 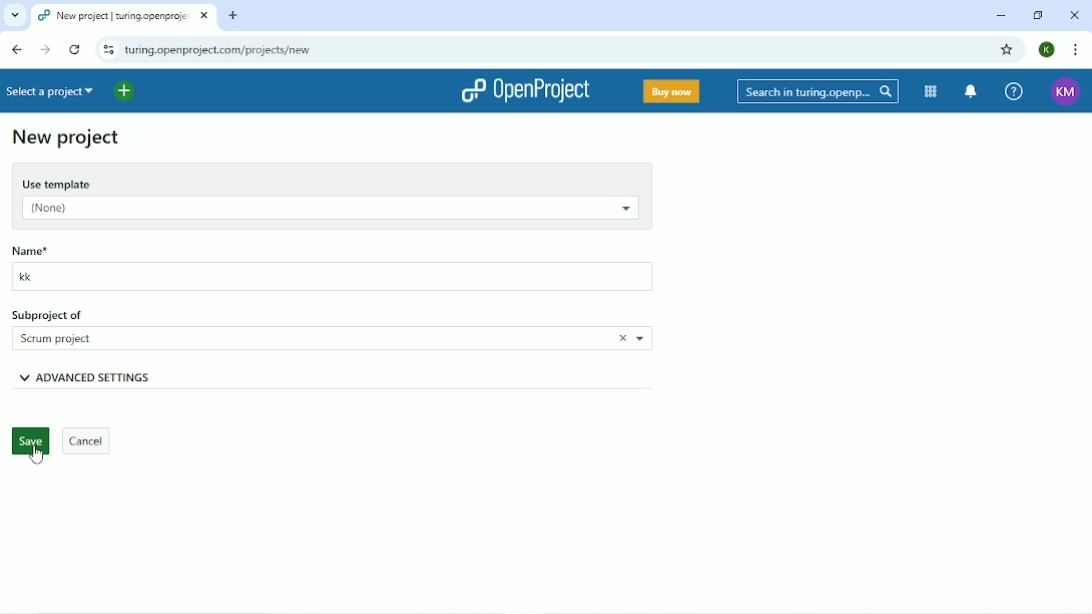 What do you see at coordinates (66, 139) in the screenshot?
I see `New project` at bounding box center [66, 139].